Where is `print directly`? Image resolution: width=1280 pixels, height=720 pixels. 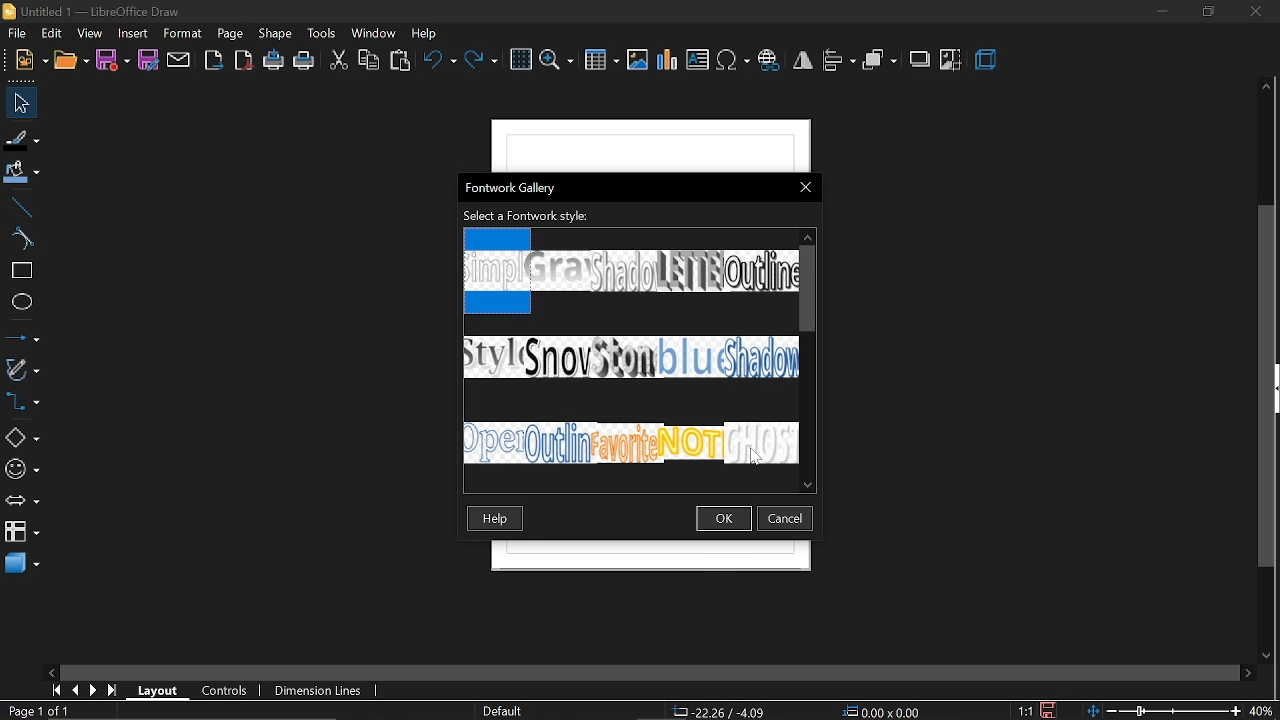 print directly is located at coordinates (272, 61).